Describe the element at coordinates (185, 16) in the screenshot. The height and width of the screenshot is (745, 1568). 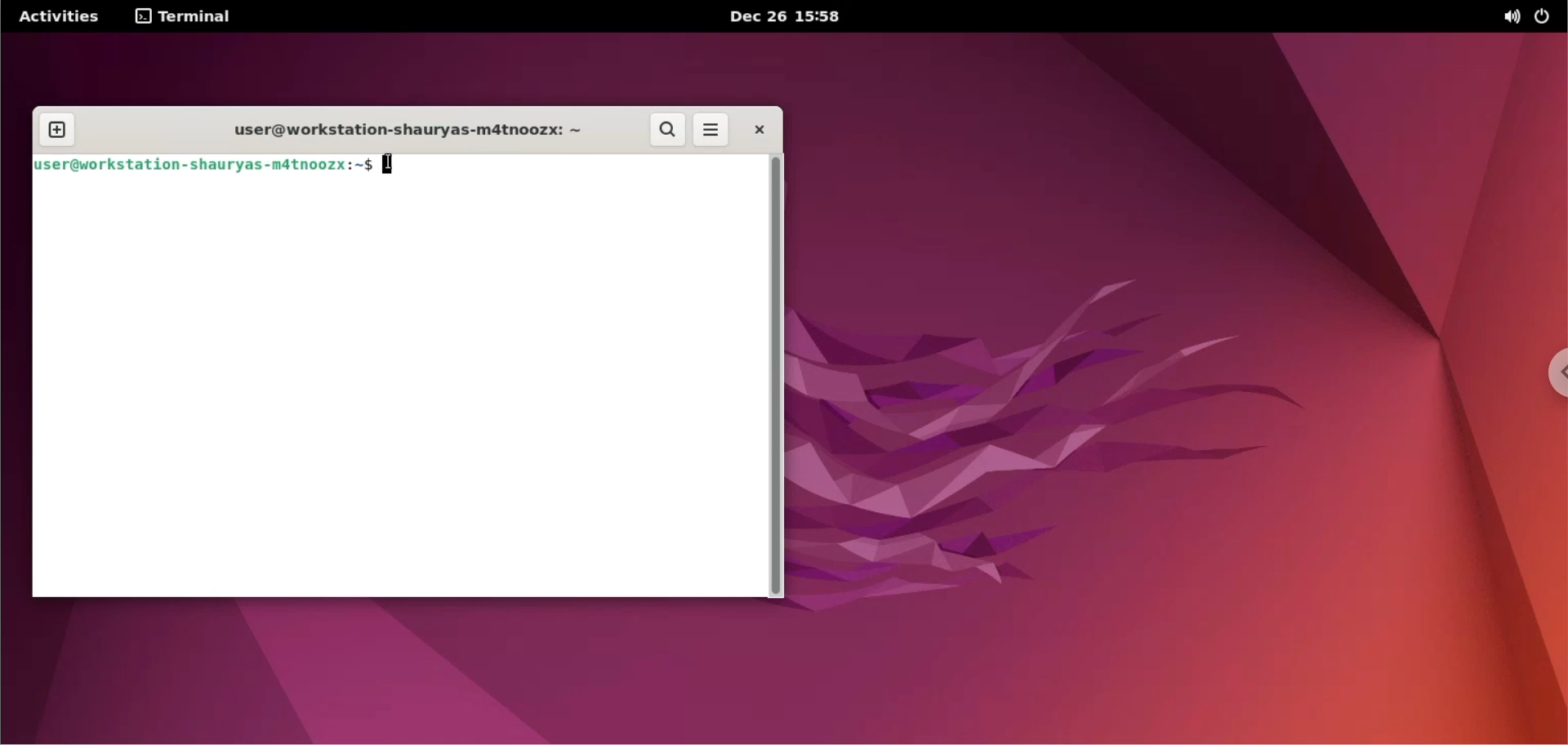
I see `terminal ` at that location.